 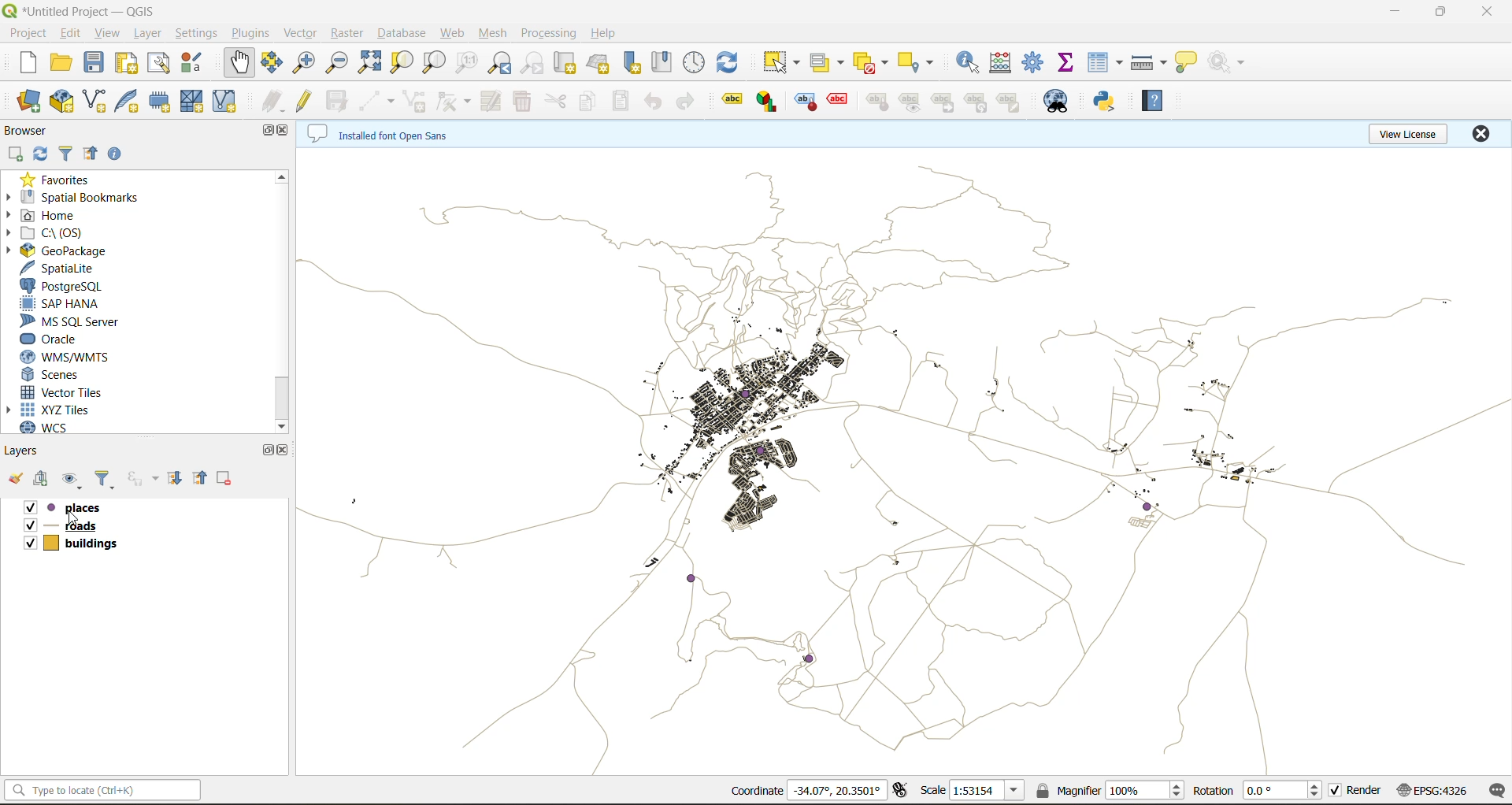 I want to click on select value, so click(x=830, y=61).